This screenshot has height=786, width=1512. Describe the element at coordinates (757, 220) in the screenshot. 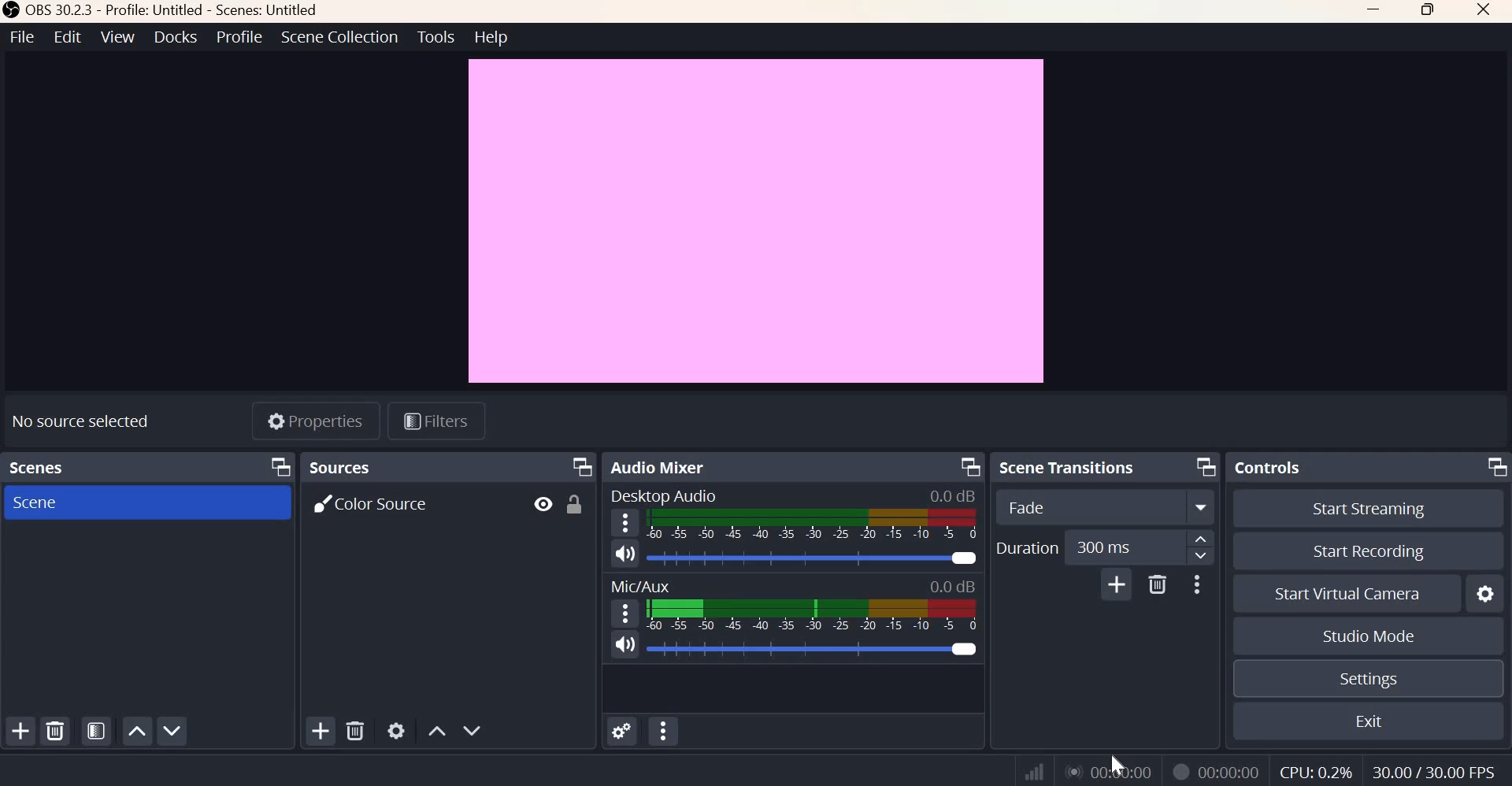

I see `canvas` at that location.